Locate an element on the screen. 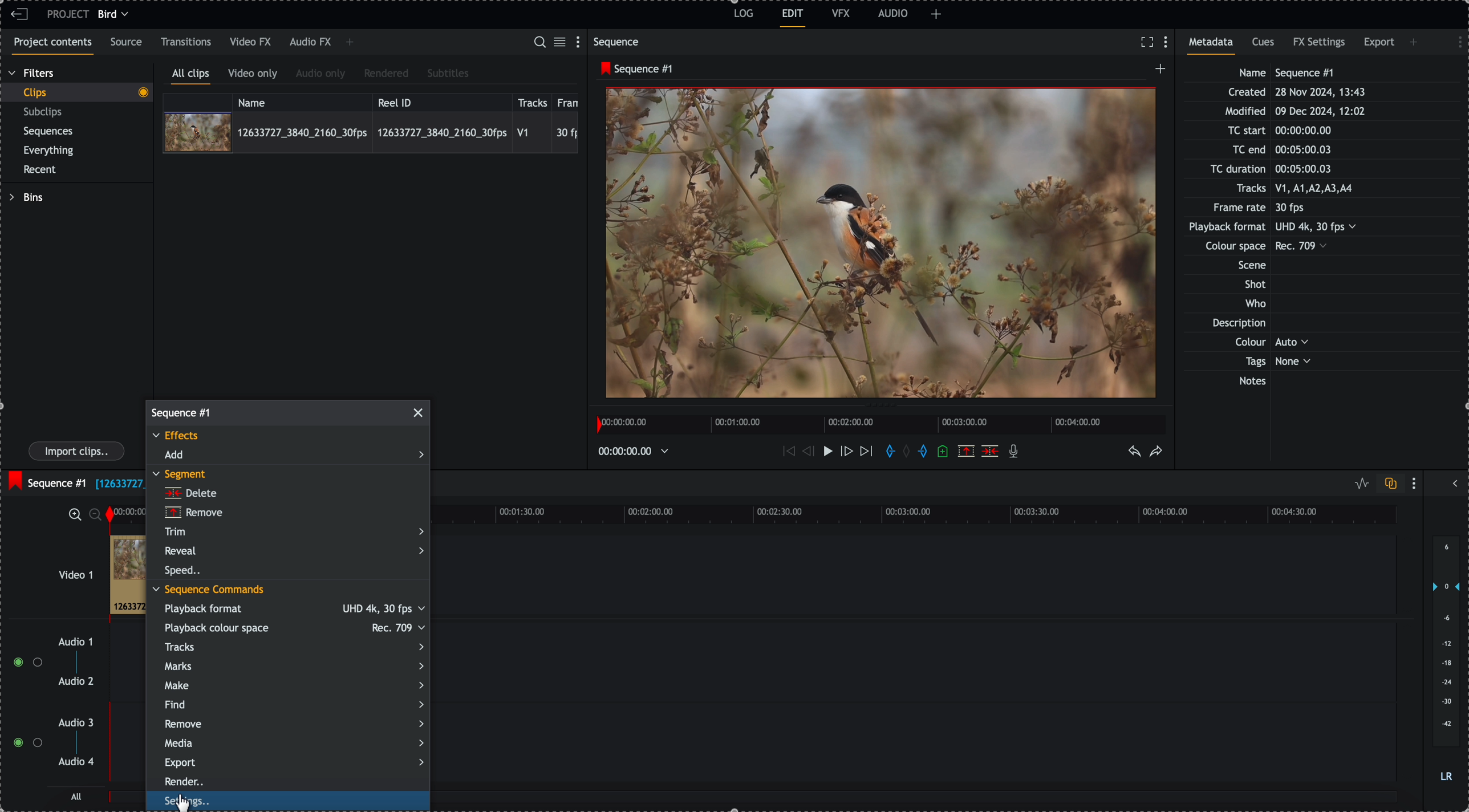  redo is located at coordinates (1156, 452).